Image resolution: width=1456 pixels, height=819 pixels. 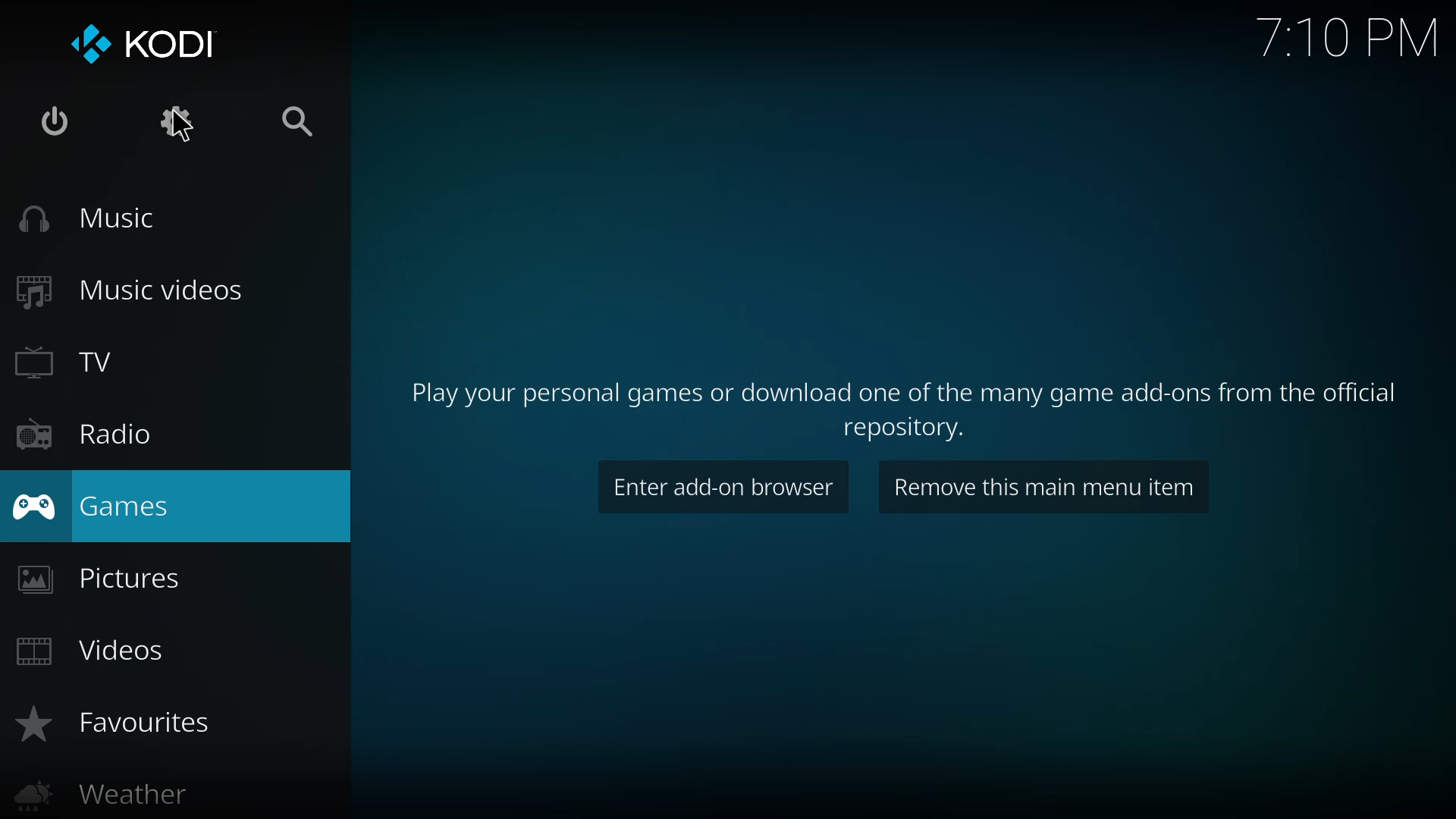 I want to click on cursor, so click(x=187, y=133).